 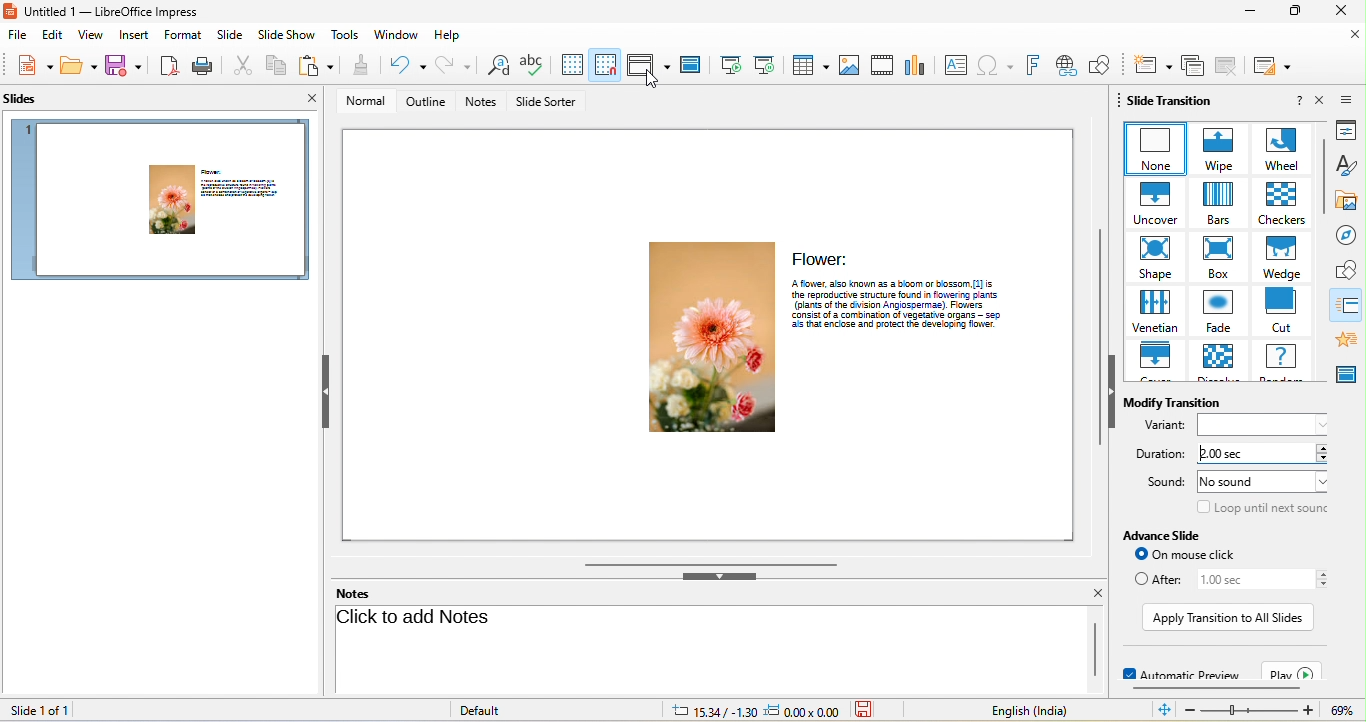 What do you see at coordinates (567, 65) in the screenshot?
I see `display to grid` at bounding box center [567, 65].